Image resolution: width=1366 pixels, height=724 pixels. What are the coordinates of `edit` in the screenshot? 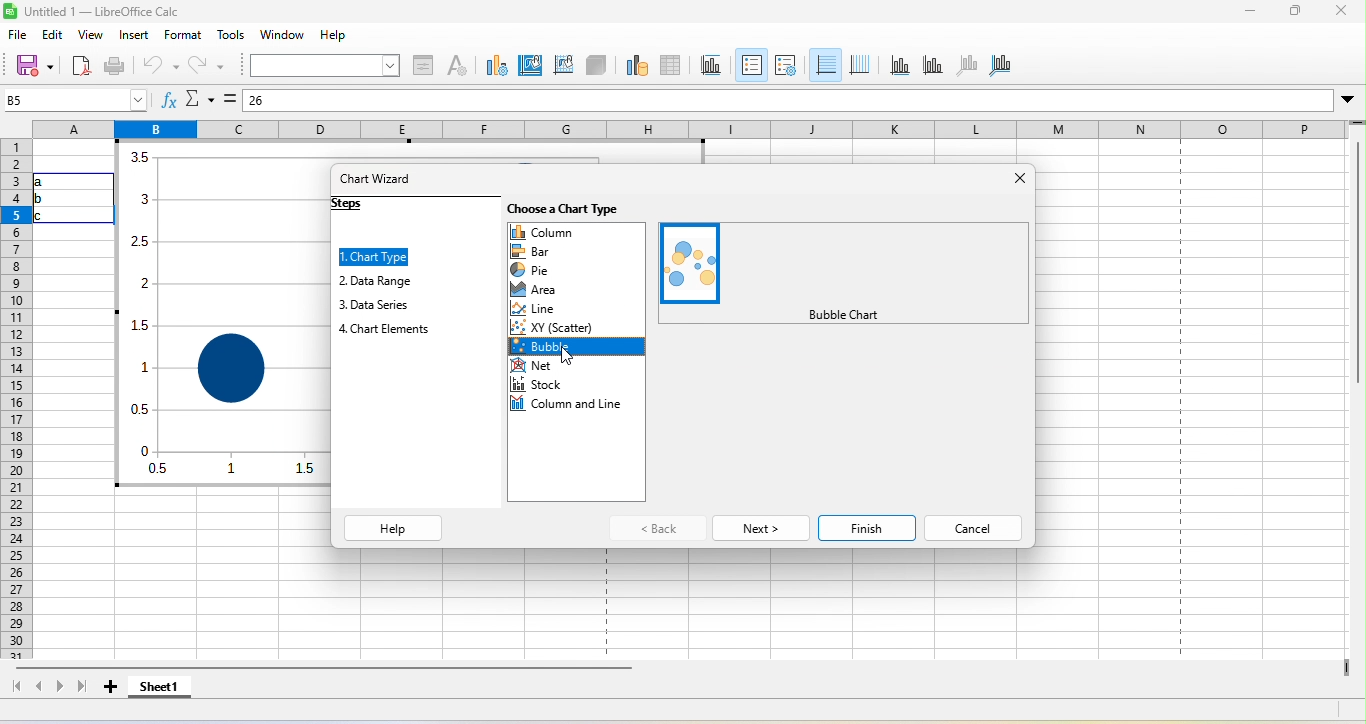 It's located at (55, 37).